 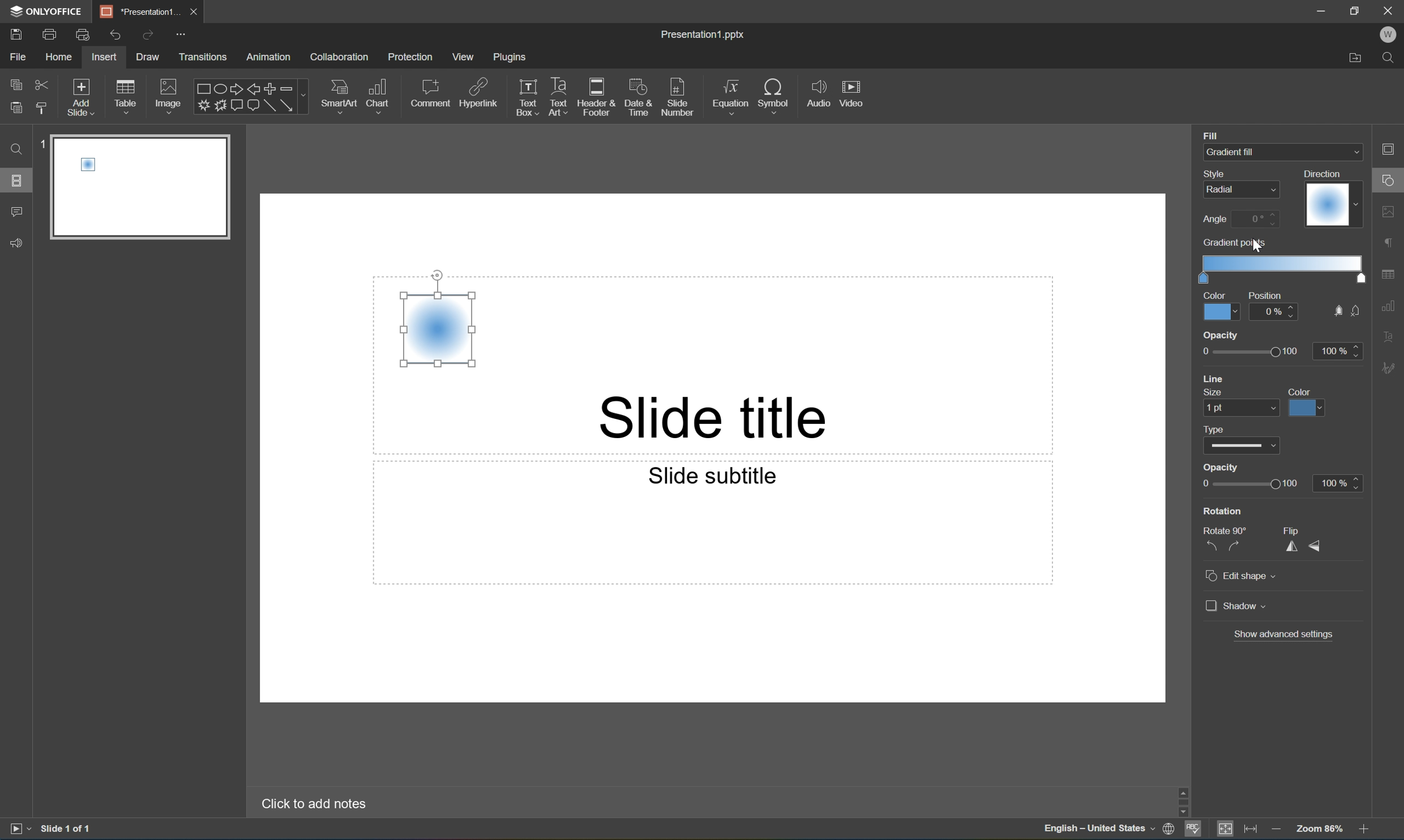 What do you see at coordinates (1282, 636) in the screenshot?
I see `Show advanced settings` at bounding box center [1282, 636].